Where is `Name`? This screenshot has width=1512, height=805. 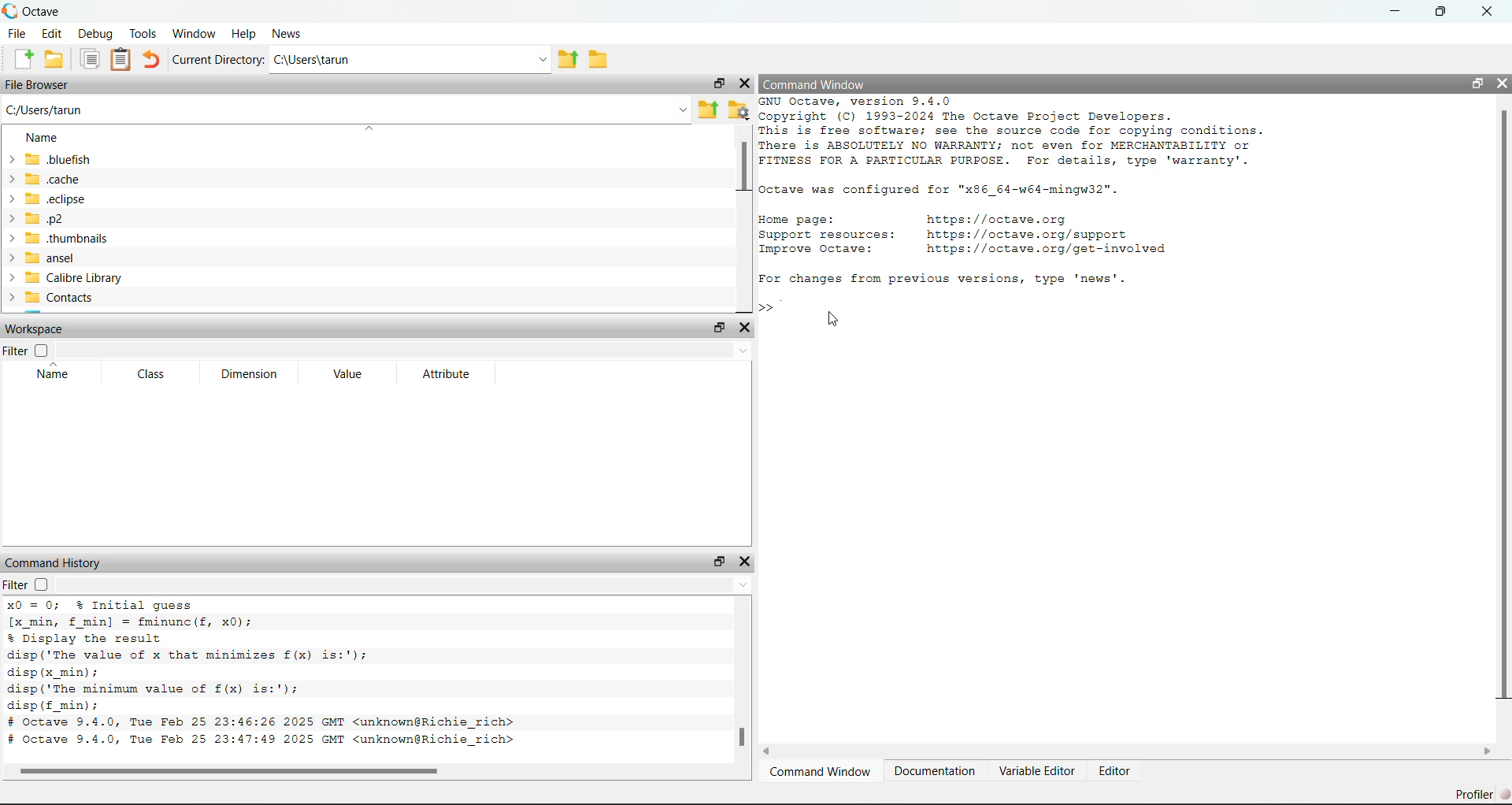
Name is located at coordinates (46, 136).